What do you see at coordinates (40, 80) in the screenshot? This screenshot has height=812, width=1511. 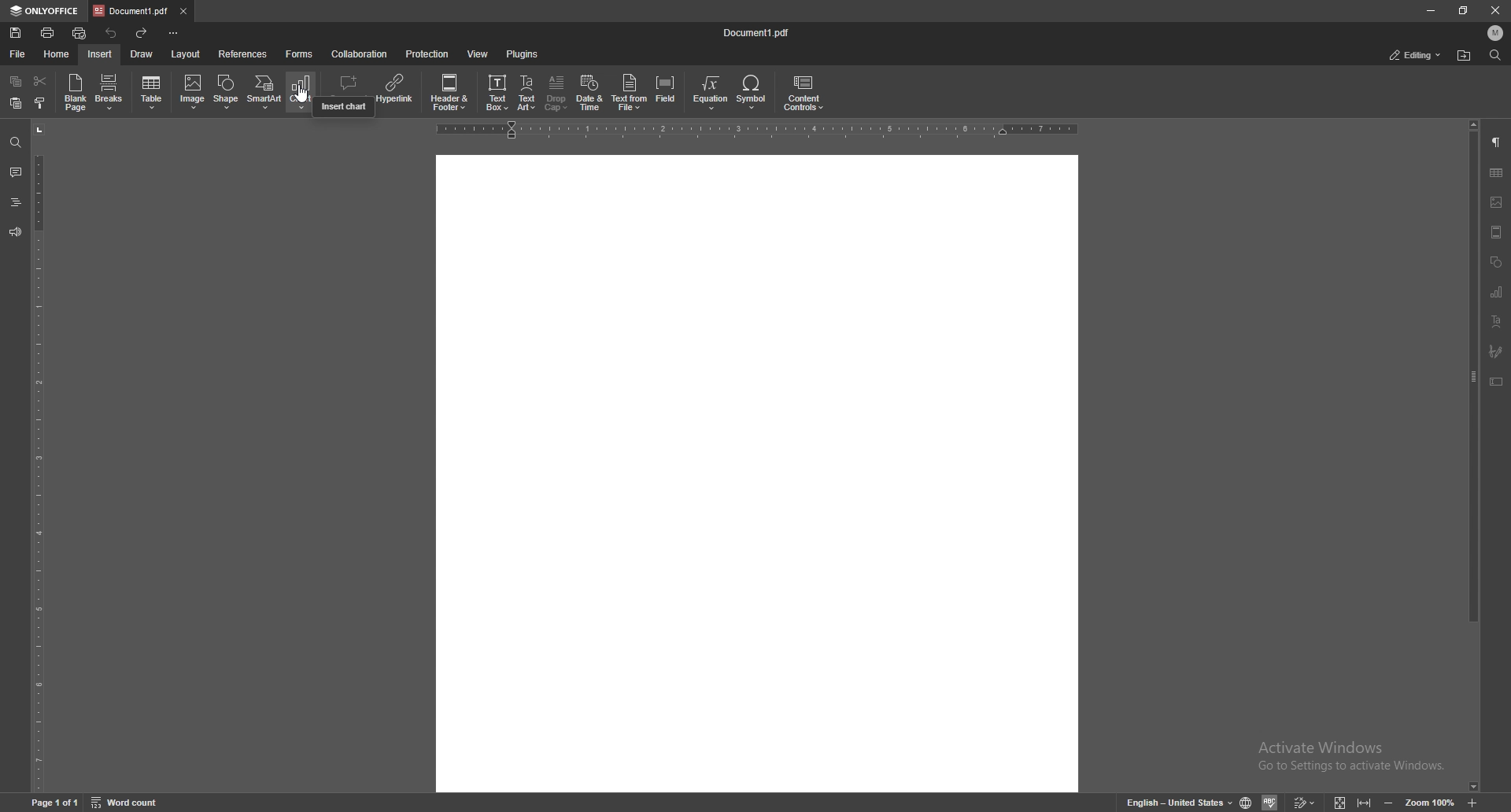 I see `cut` at bounding box center [40, 80].